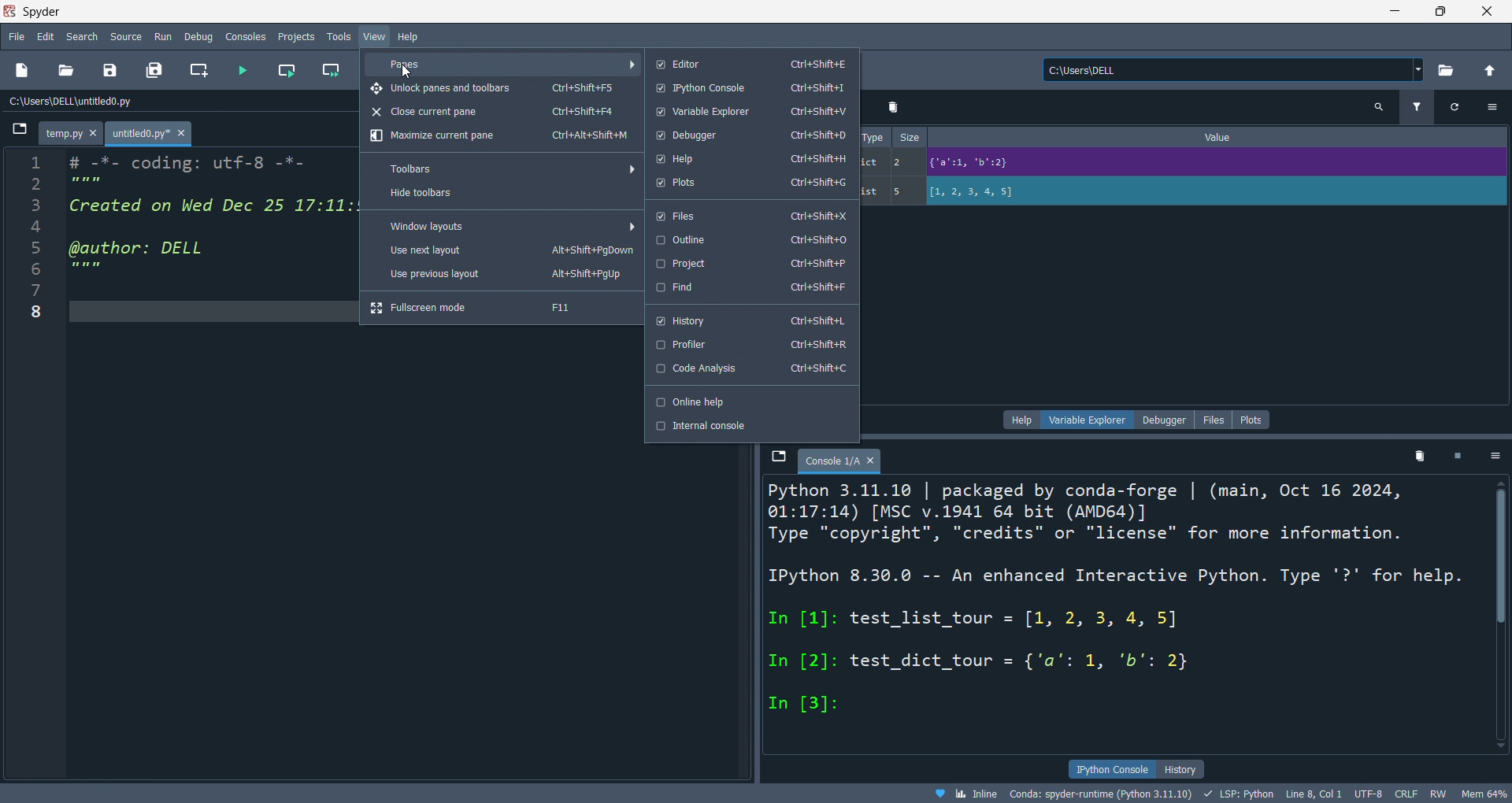 The height and width of the screenshot is (803, 1512). What do you see at coordinates (903, 161) in the screenshot?
I see `2` at bounding box center [903, 161].